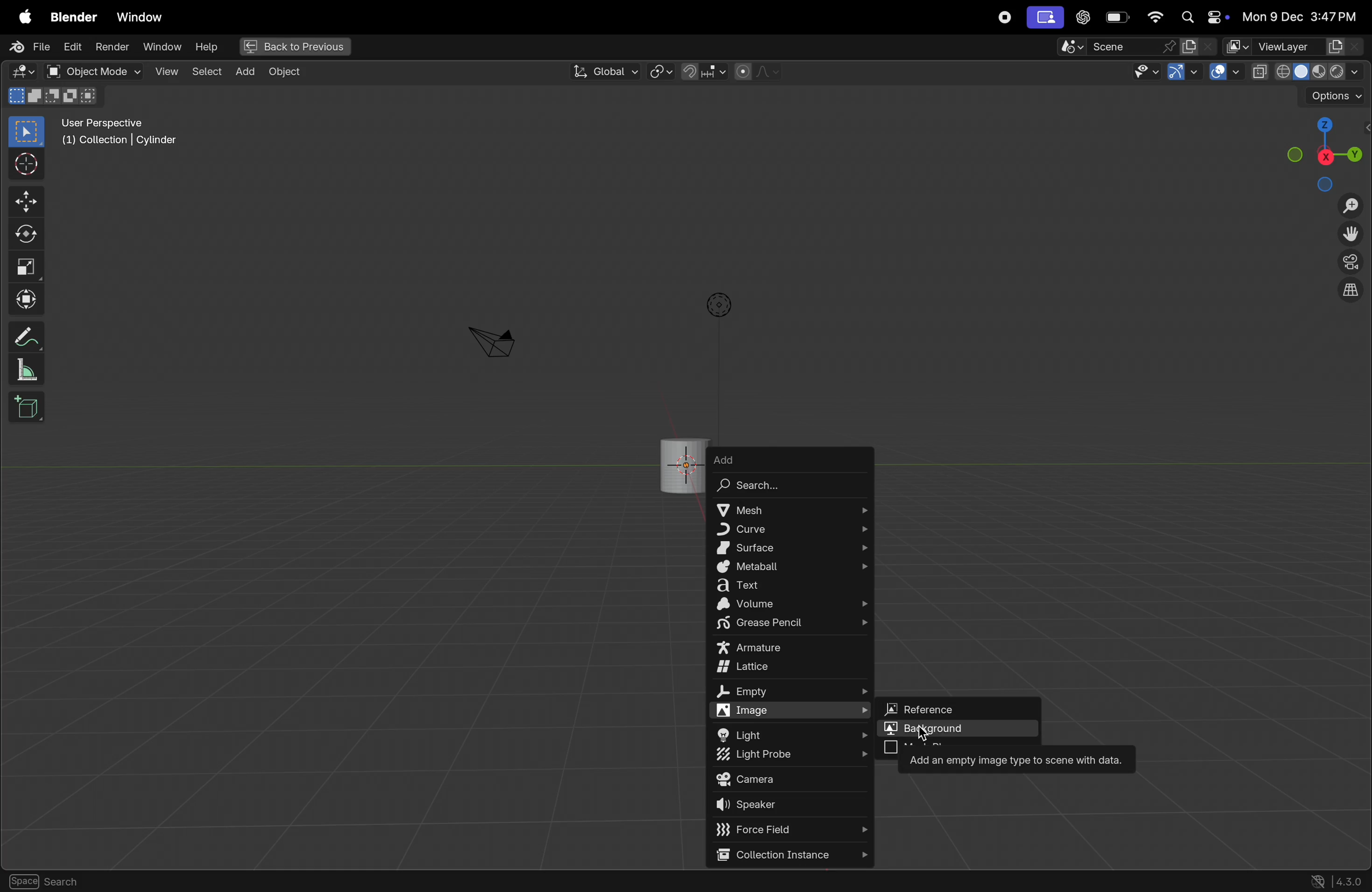 This screenshot has height=892, width=1372. I want to click on move the view, so click(1353, 235).